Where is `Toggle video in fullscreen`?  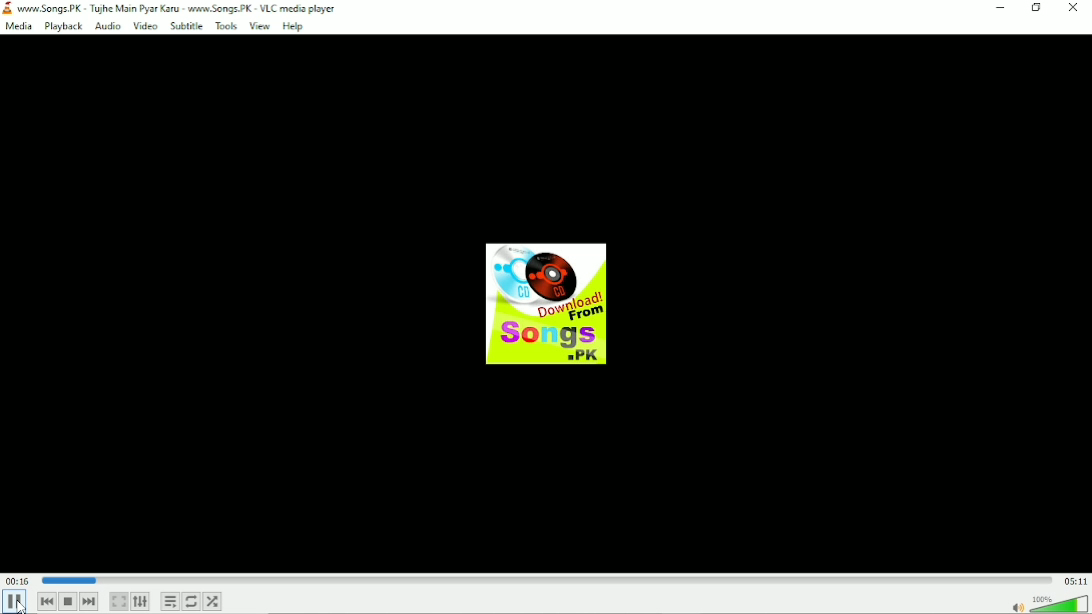 Toggle video in fullscreen is located at coordinates (117, 600).